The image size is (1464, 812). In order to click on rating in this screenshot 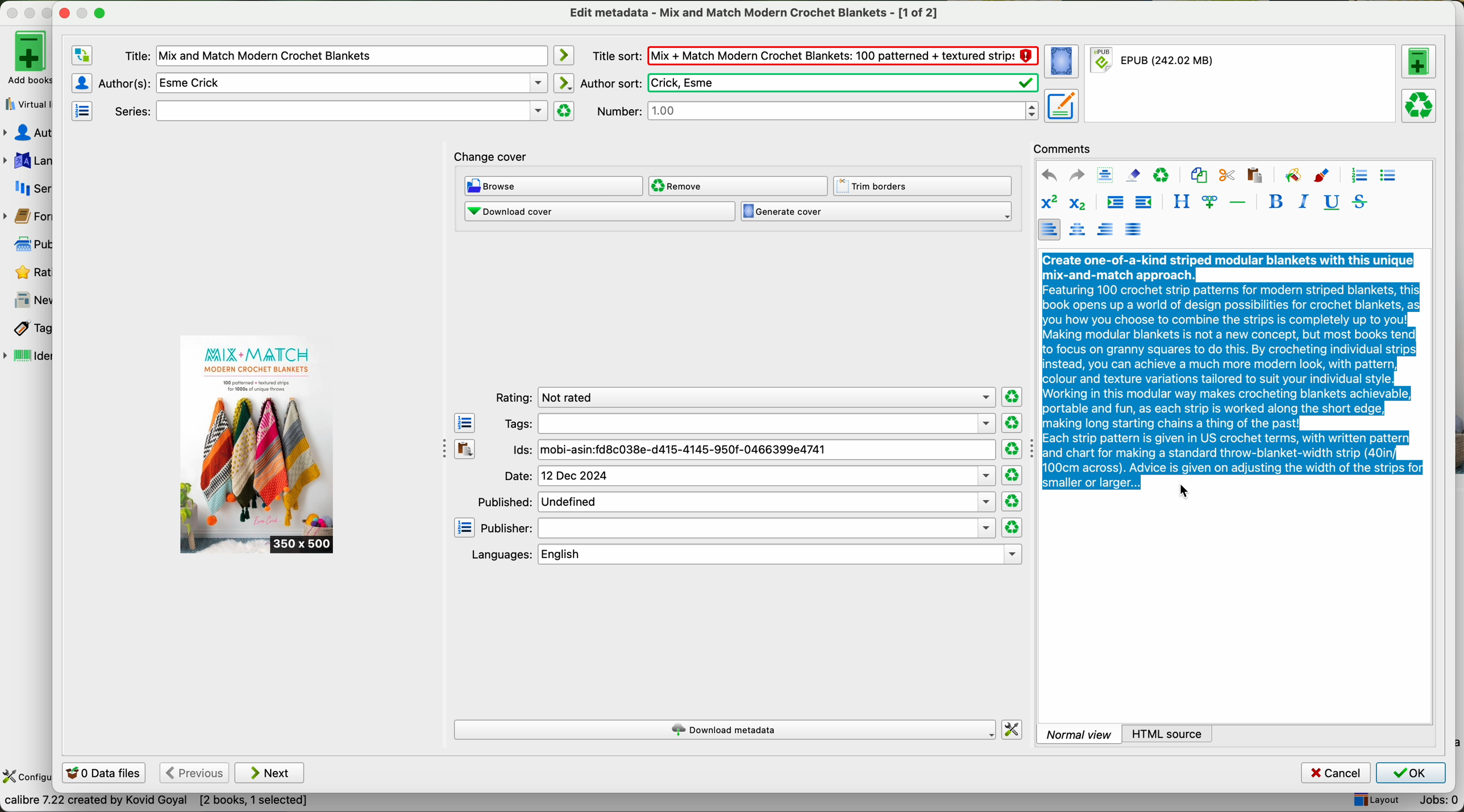, I will do `click(742, 398)`.